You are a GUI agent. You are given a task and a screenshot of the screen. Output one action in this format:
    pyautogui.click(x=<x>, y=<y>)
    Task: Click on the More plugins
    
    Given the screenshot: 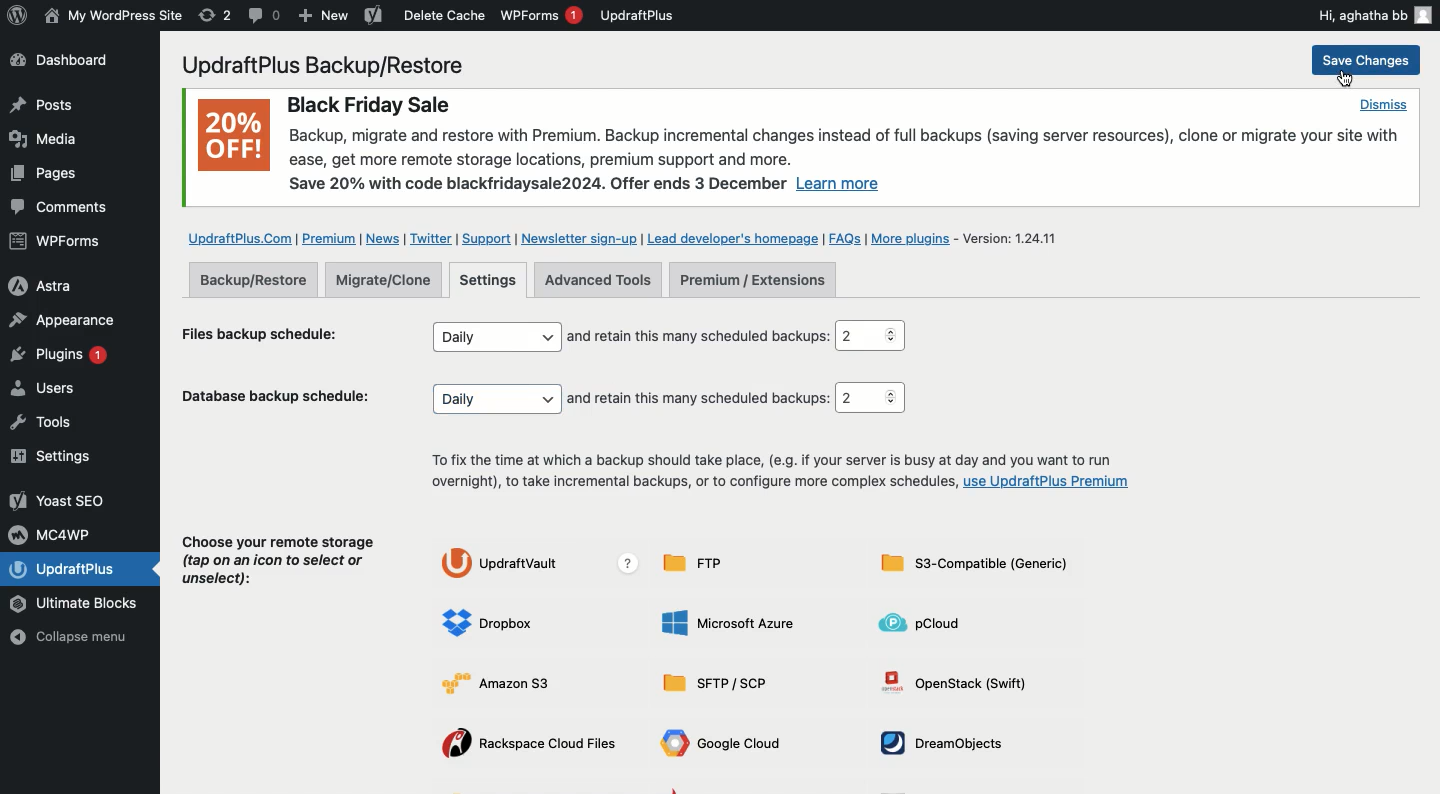 What is the action you would take?
    pyautogui.click(x=915, y=239)
    